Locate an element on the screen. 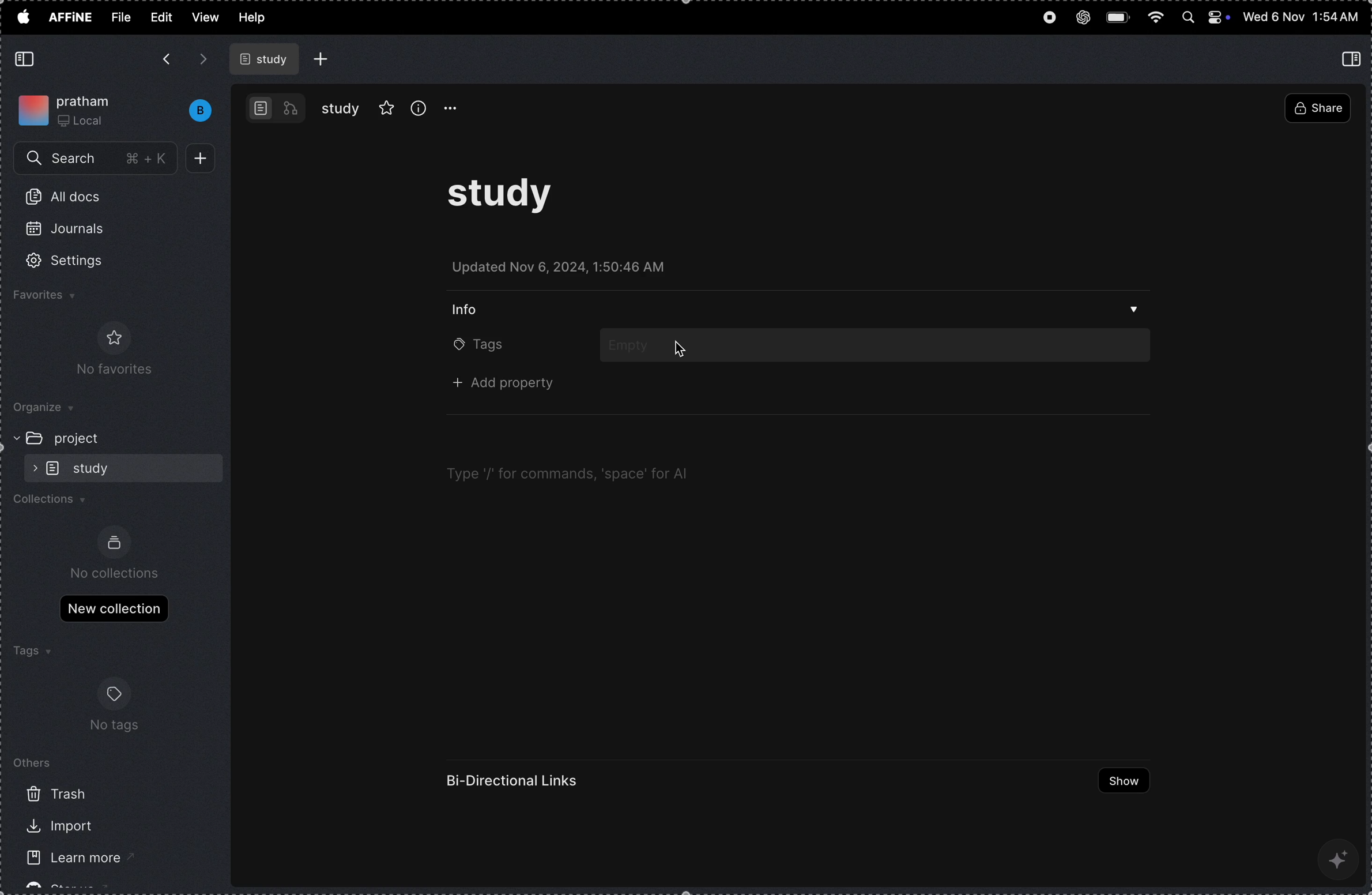  new collections is located at coordinates (114, 607).